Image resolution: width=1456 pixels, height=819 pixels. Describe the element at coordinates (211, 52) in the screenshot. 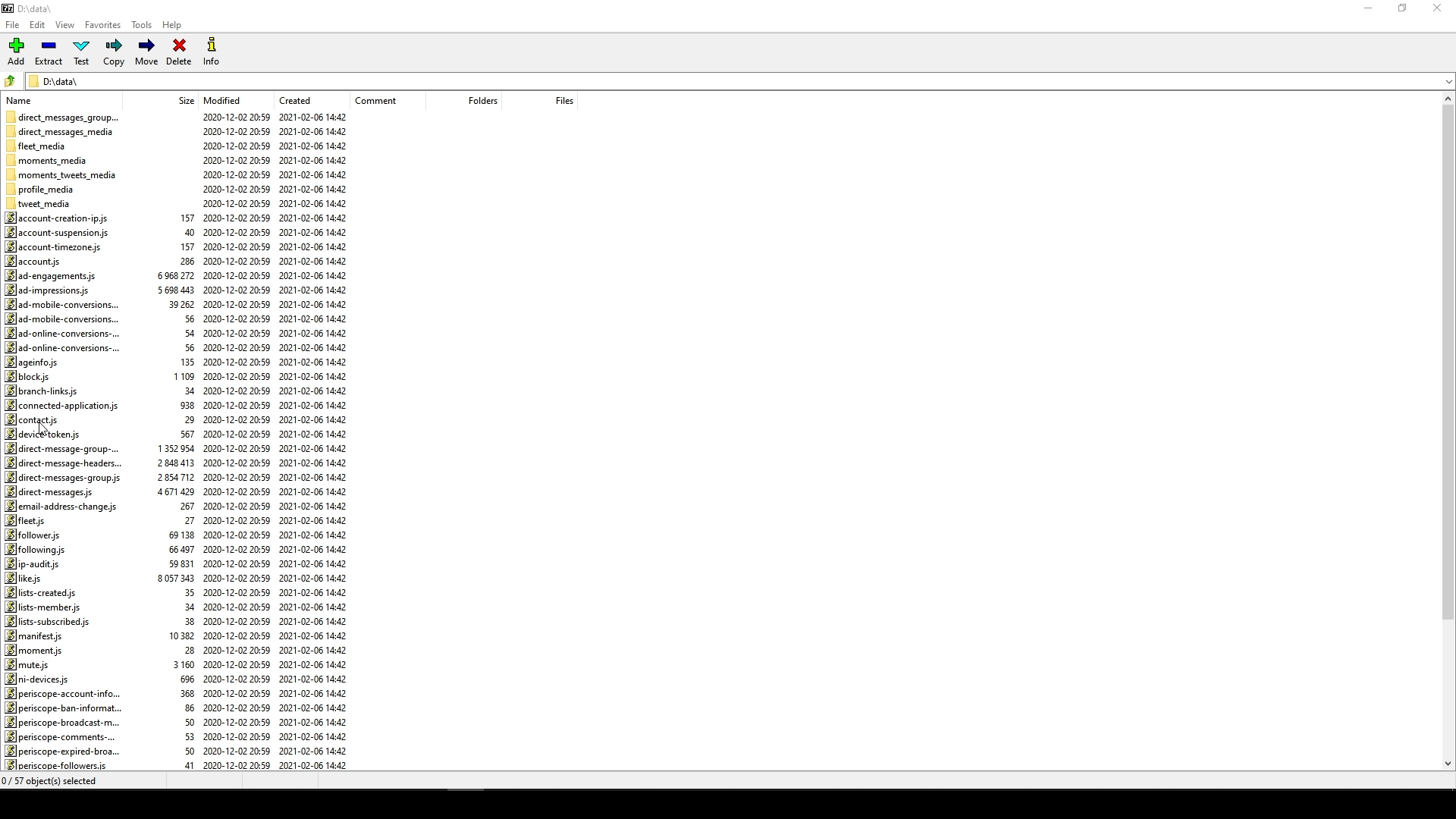

I see `Info` at that location.